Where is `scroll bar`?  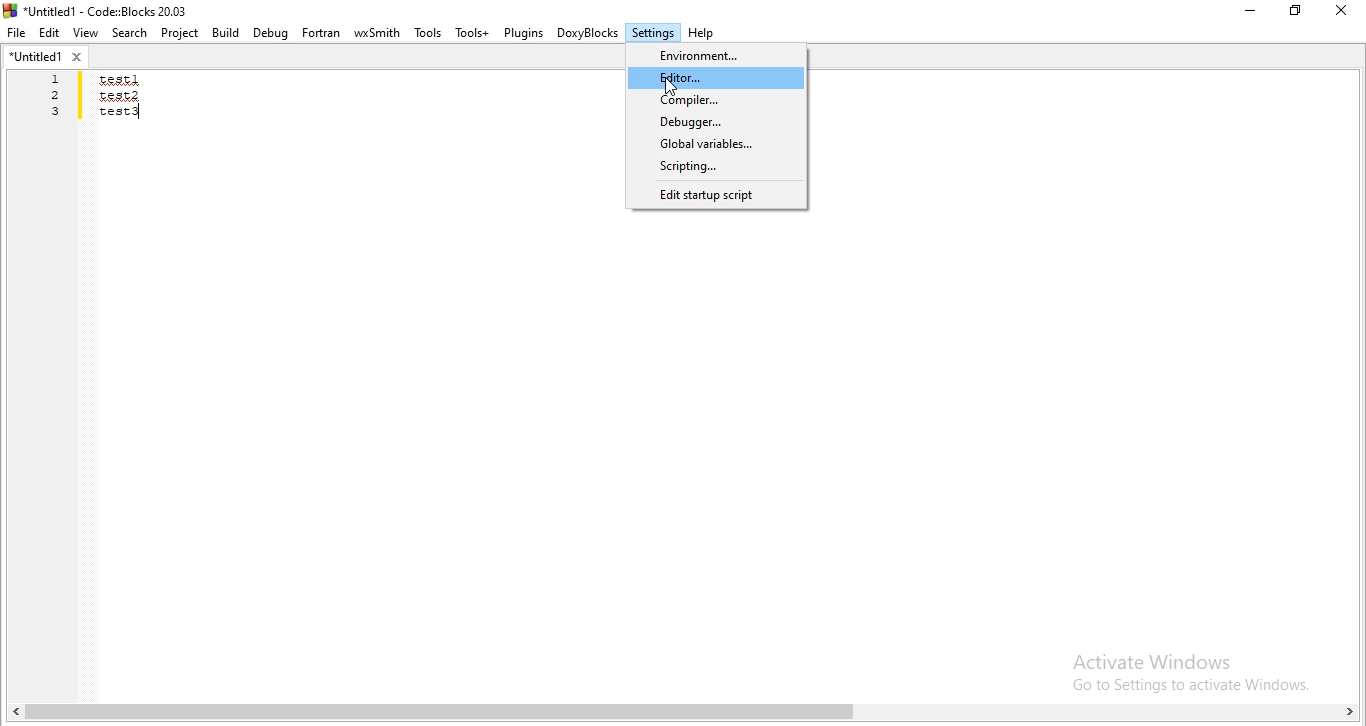
scroll bar is located at coordinates (683, 714).